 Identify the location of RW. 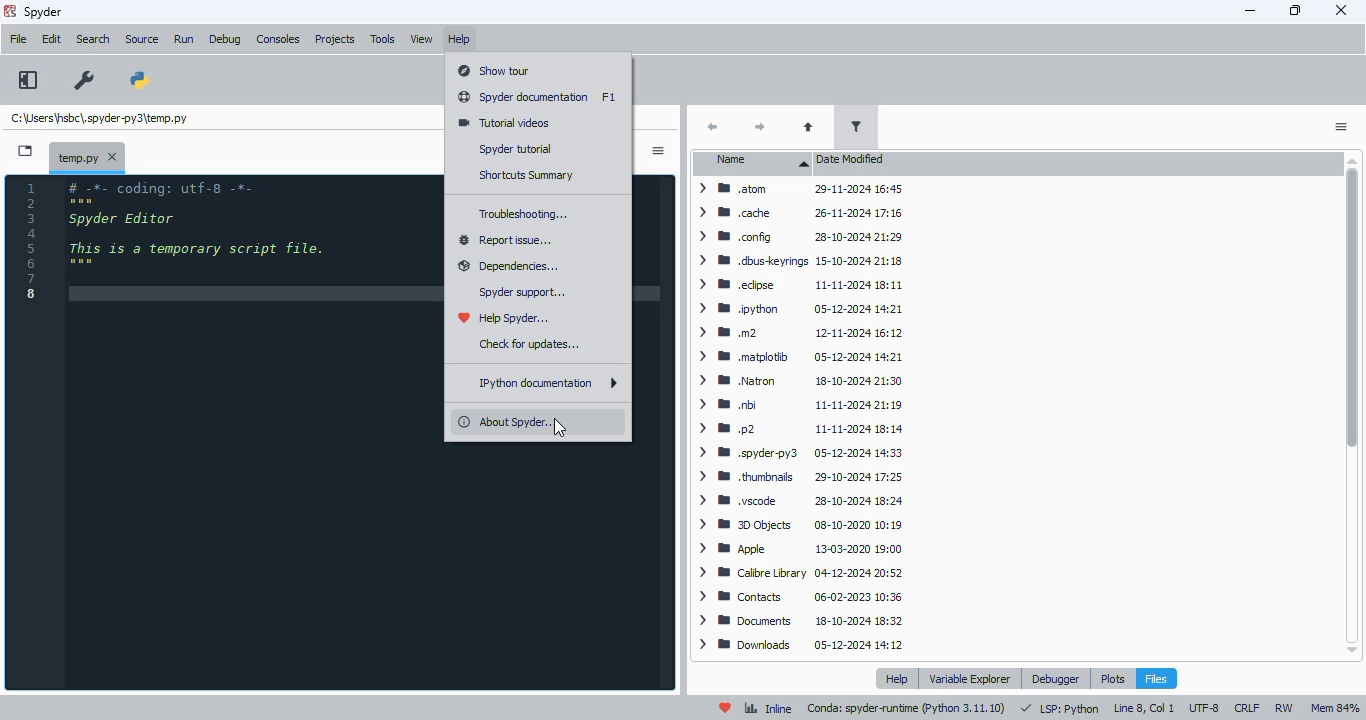
(1285, 708).